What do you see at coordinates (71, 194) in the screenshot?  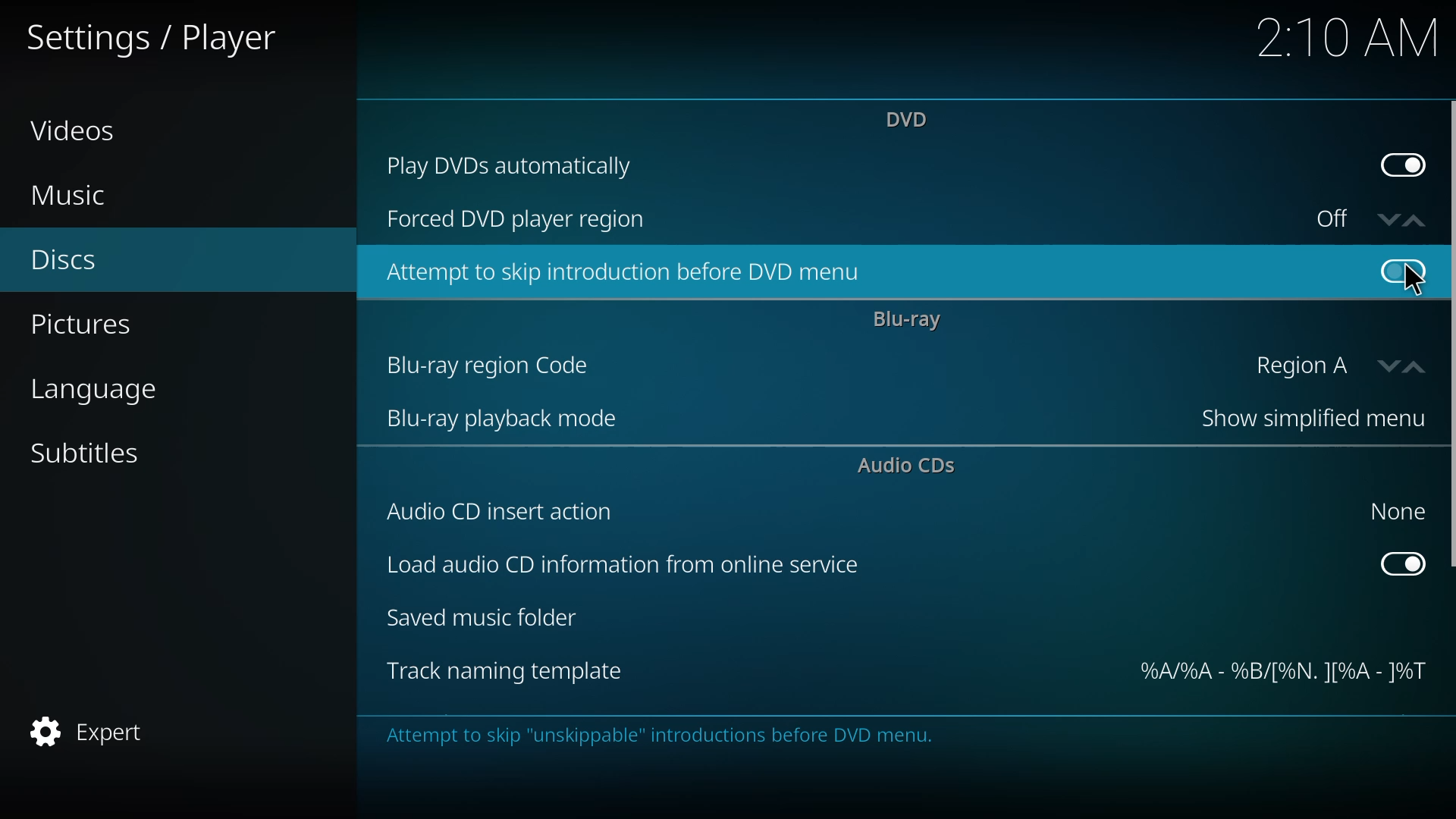 I see `music` at bounding box center [71, 194].